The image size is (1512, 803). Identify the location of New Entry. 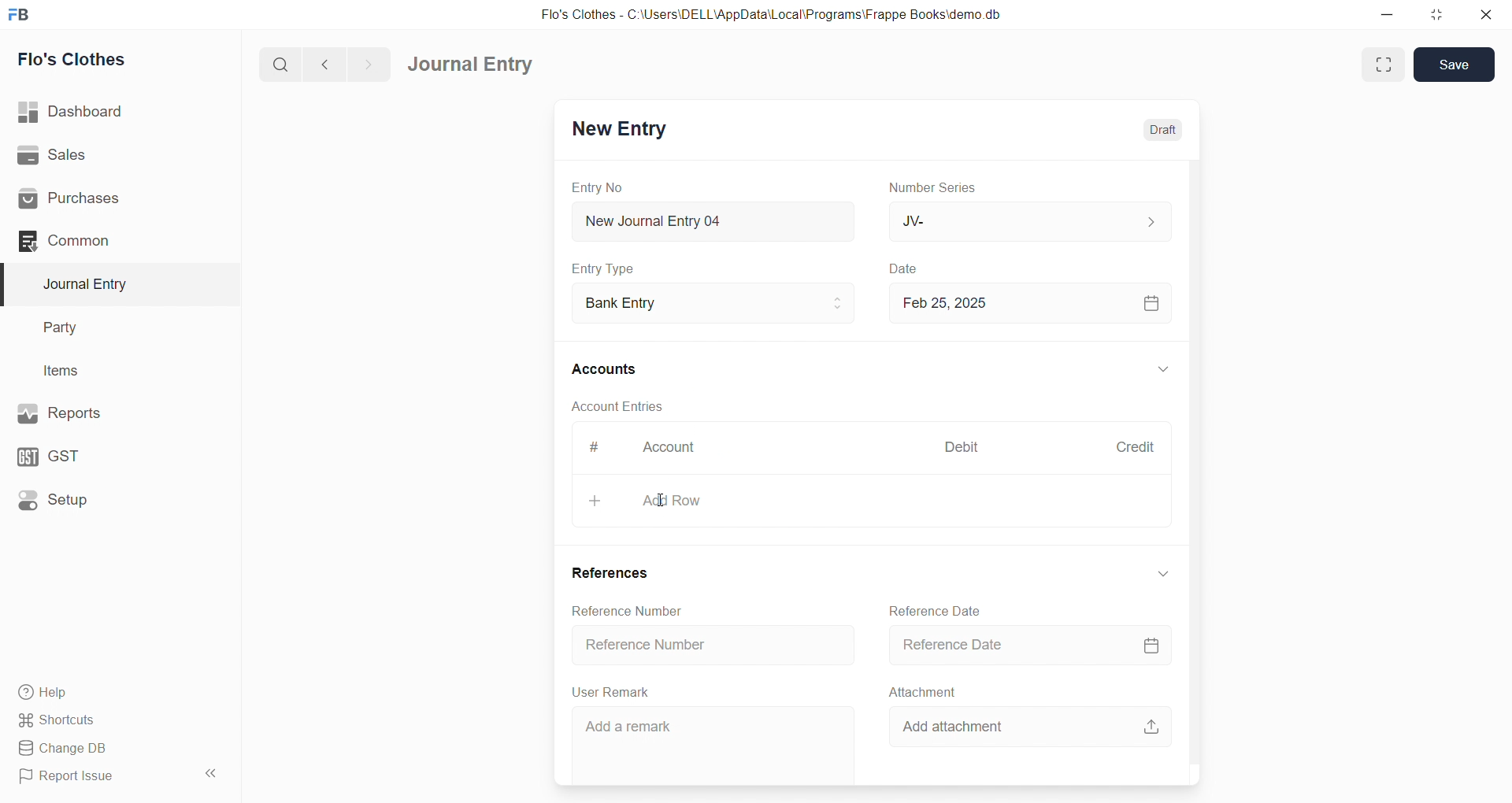
(617, 131).